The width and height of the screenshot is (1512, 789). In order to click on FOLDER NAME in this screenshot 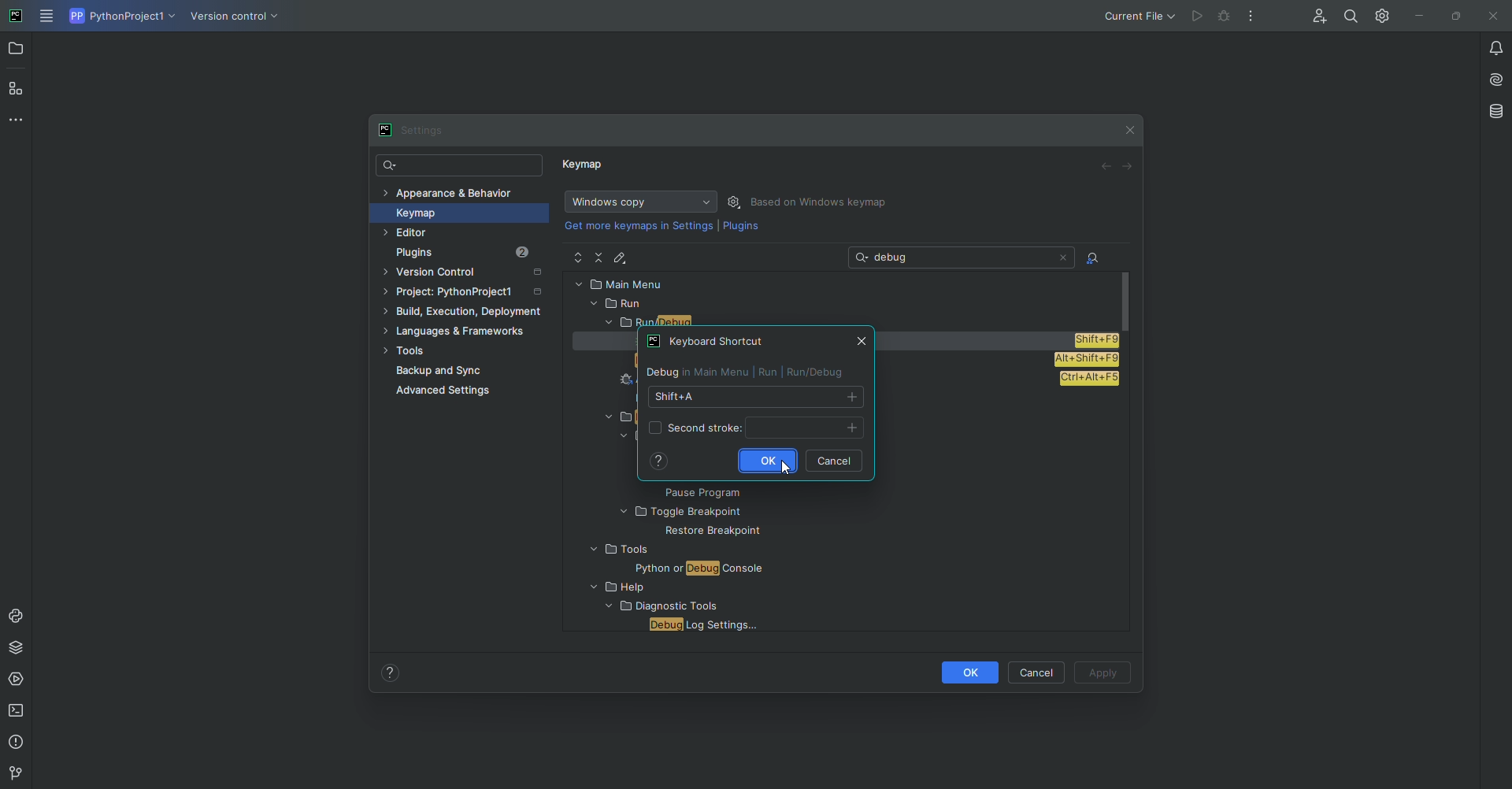, I will do `click(727, 513)`.